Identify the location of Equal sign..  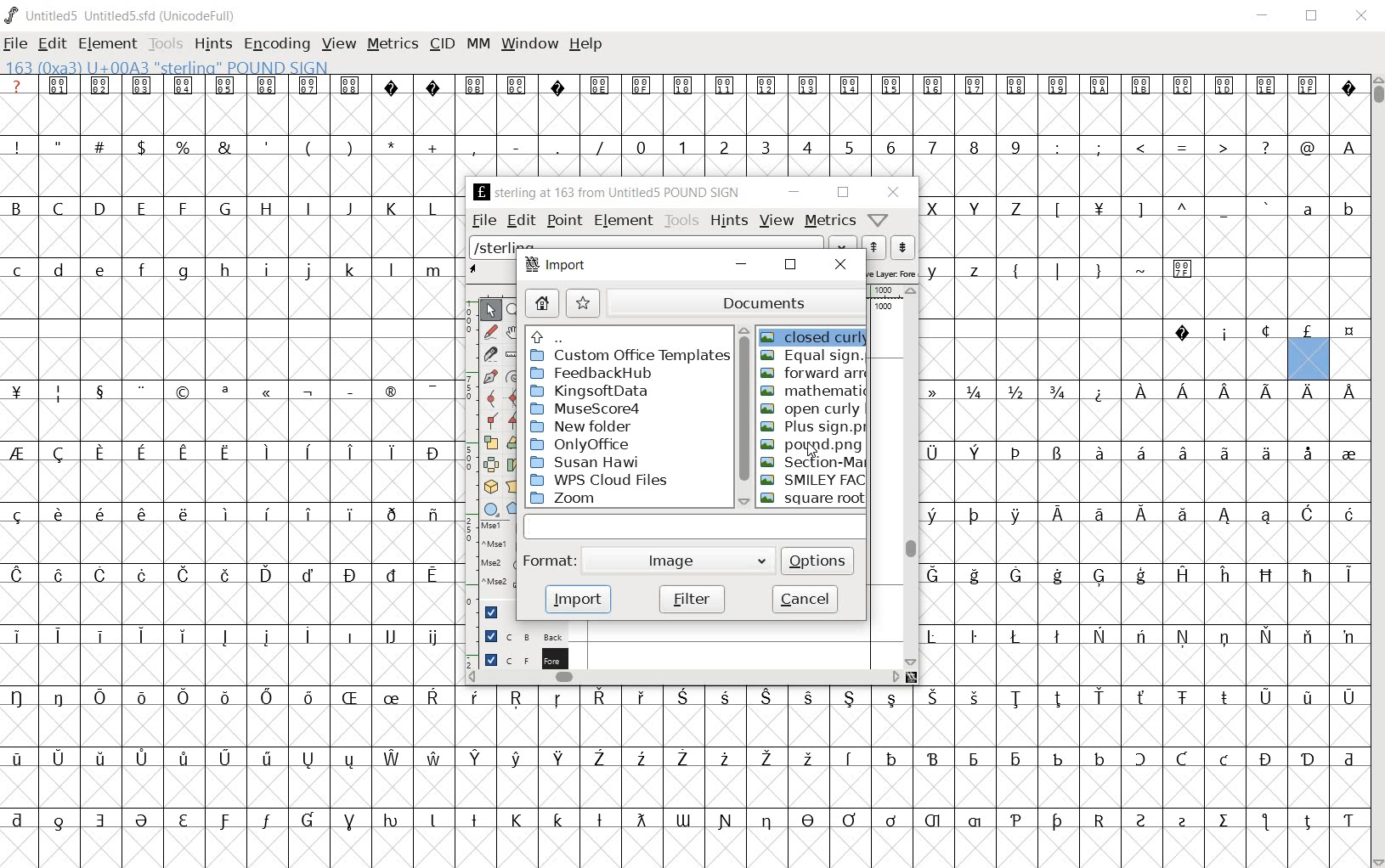
(812, 356).